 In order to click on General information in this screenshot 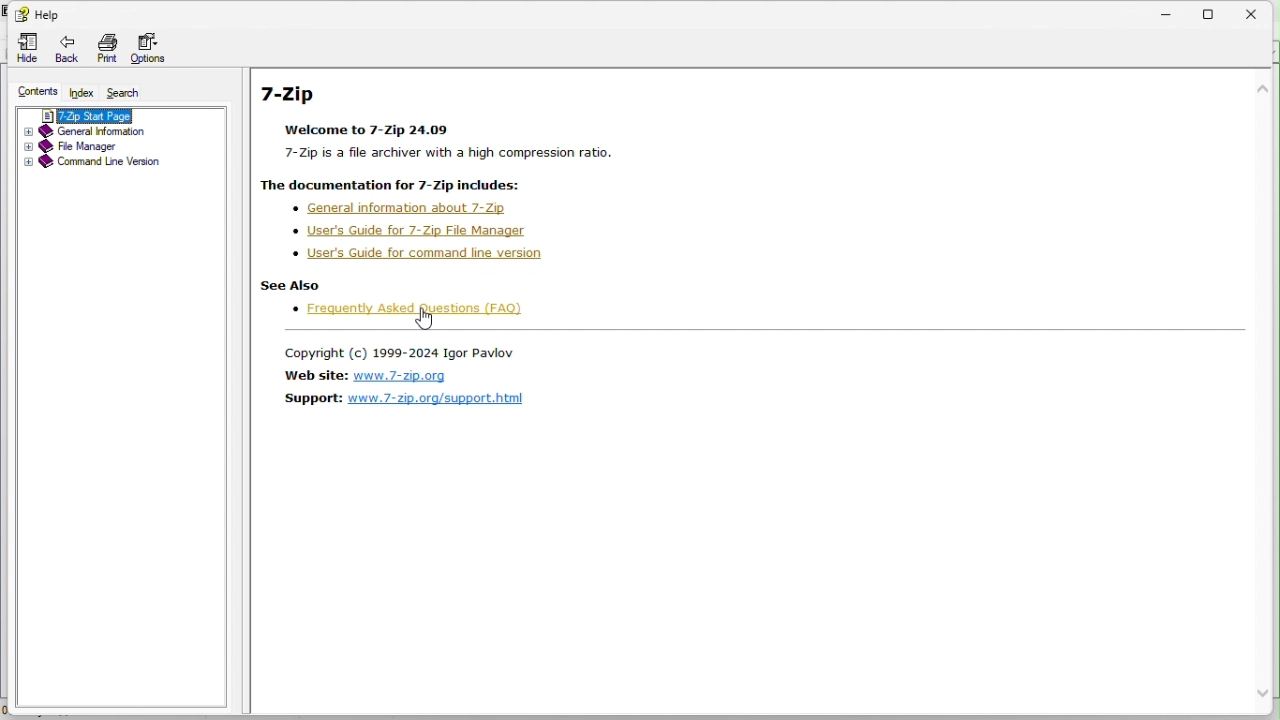, I will do `click(117, 132)`.